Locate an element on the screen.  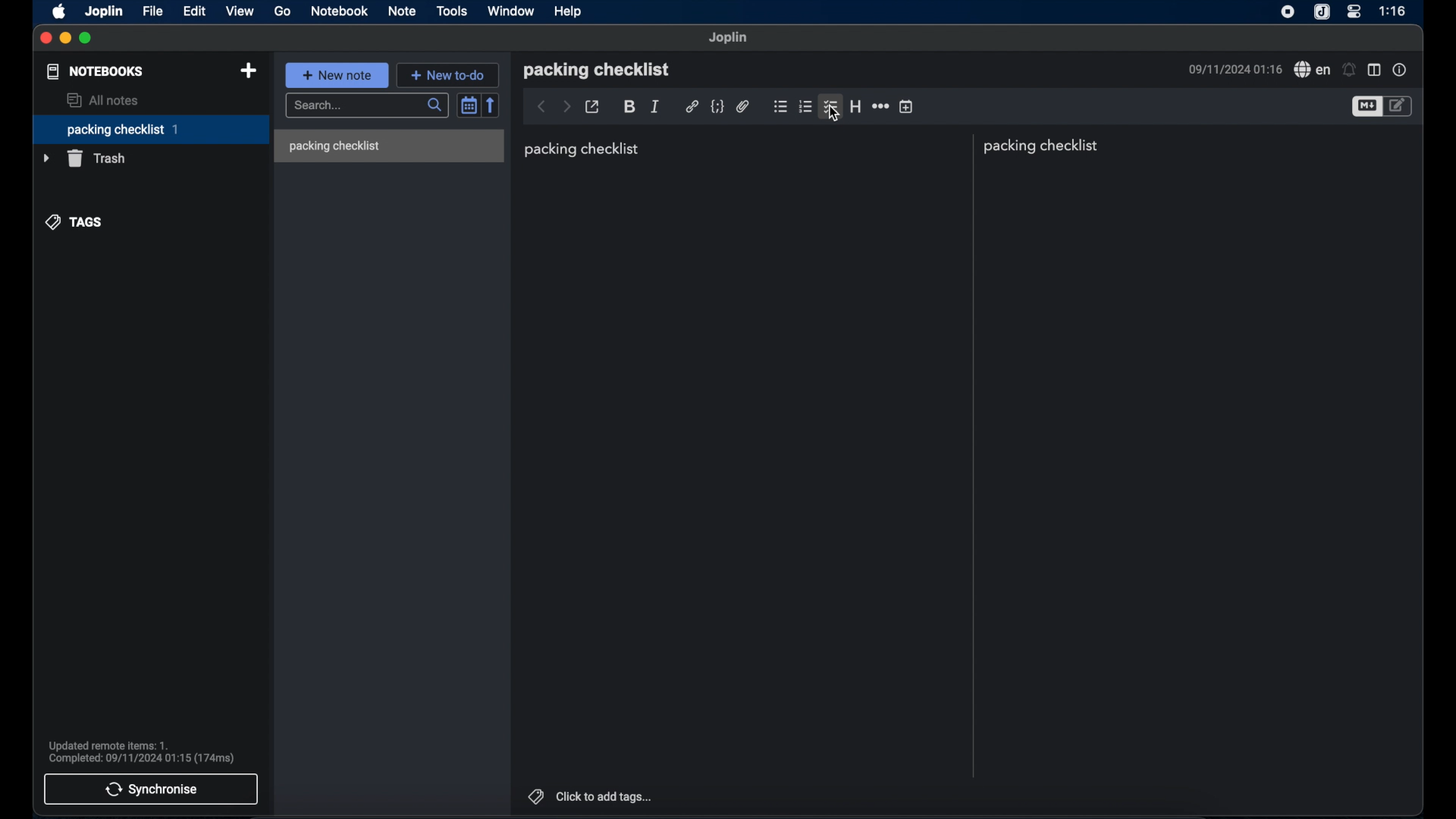
close is located at coordinates (45, 38).